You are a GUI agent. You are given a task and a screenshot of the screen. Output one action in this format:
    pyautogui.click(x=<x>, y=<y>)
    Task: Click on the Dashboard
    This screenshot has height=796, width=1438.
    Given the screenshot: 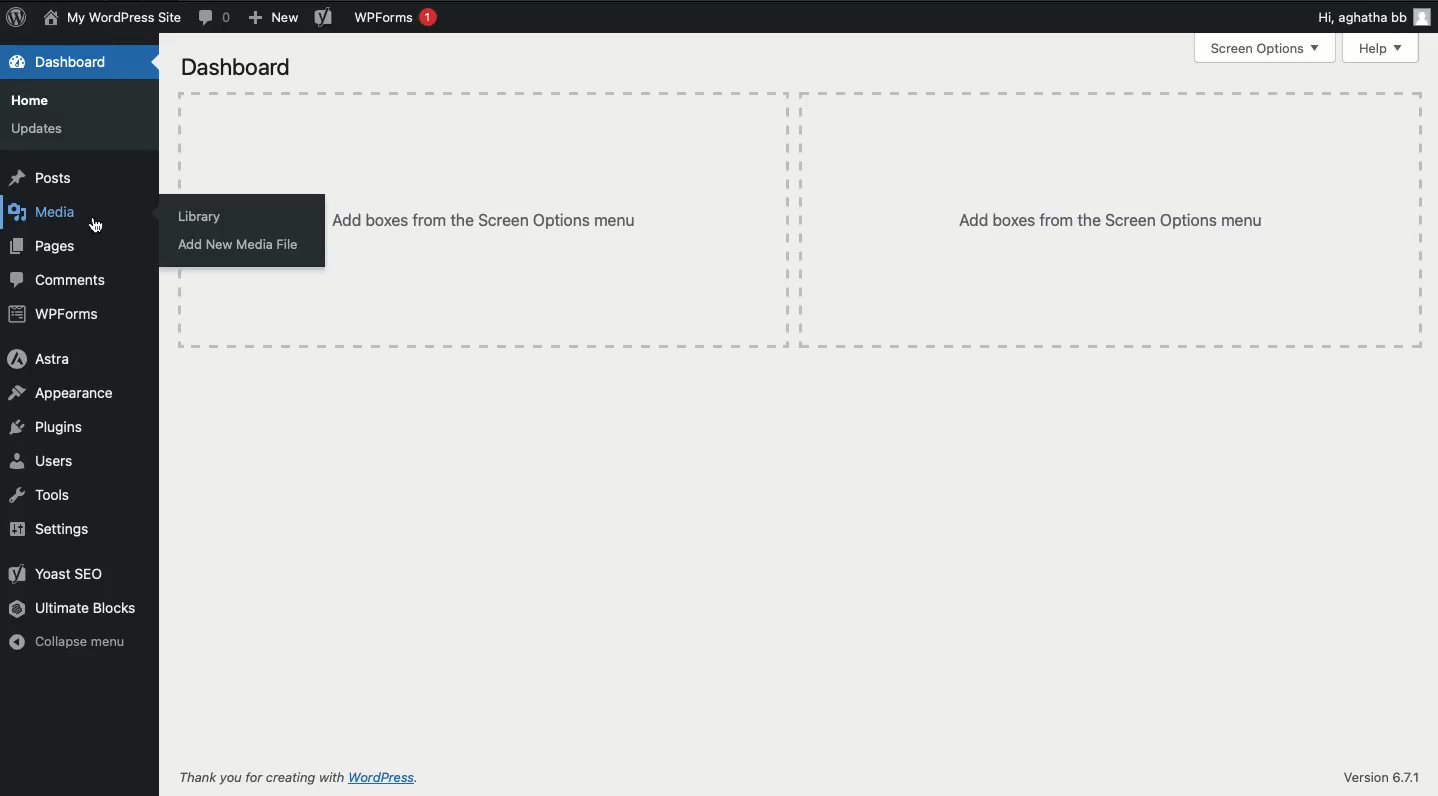 What is the action you would take?
    pyautogui.click(x=75, y=62)
    